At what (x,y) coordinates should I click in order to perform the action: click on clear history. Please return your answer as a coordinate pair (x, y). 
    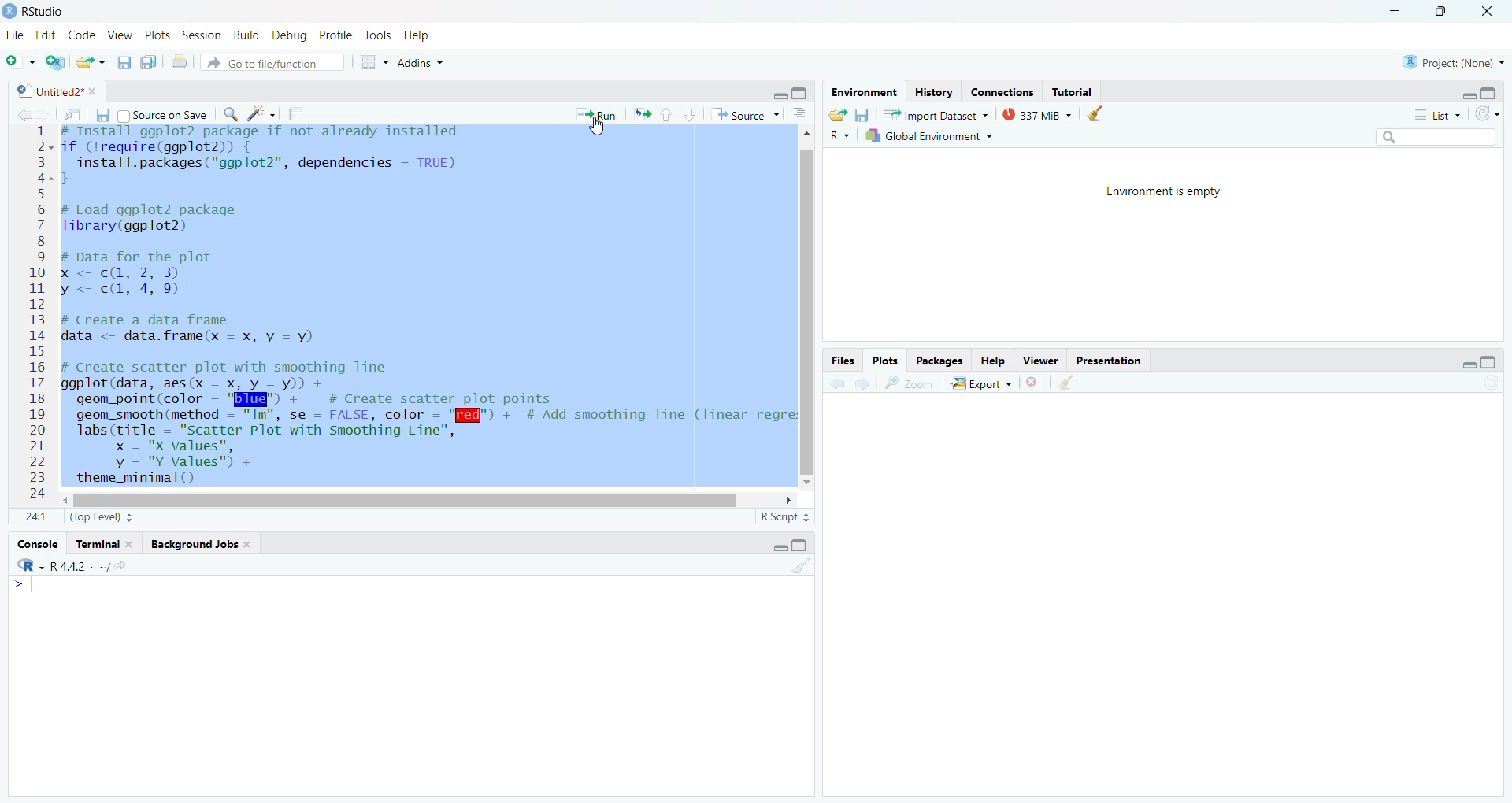
    Looking at the image, I should click on (1102, 113).